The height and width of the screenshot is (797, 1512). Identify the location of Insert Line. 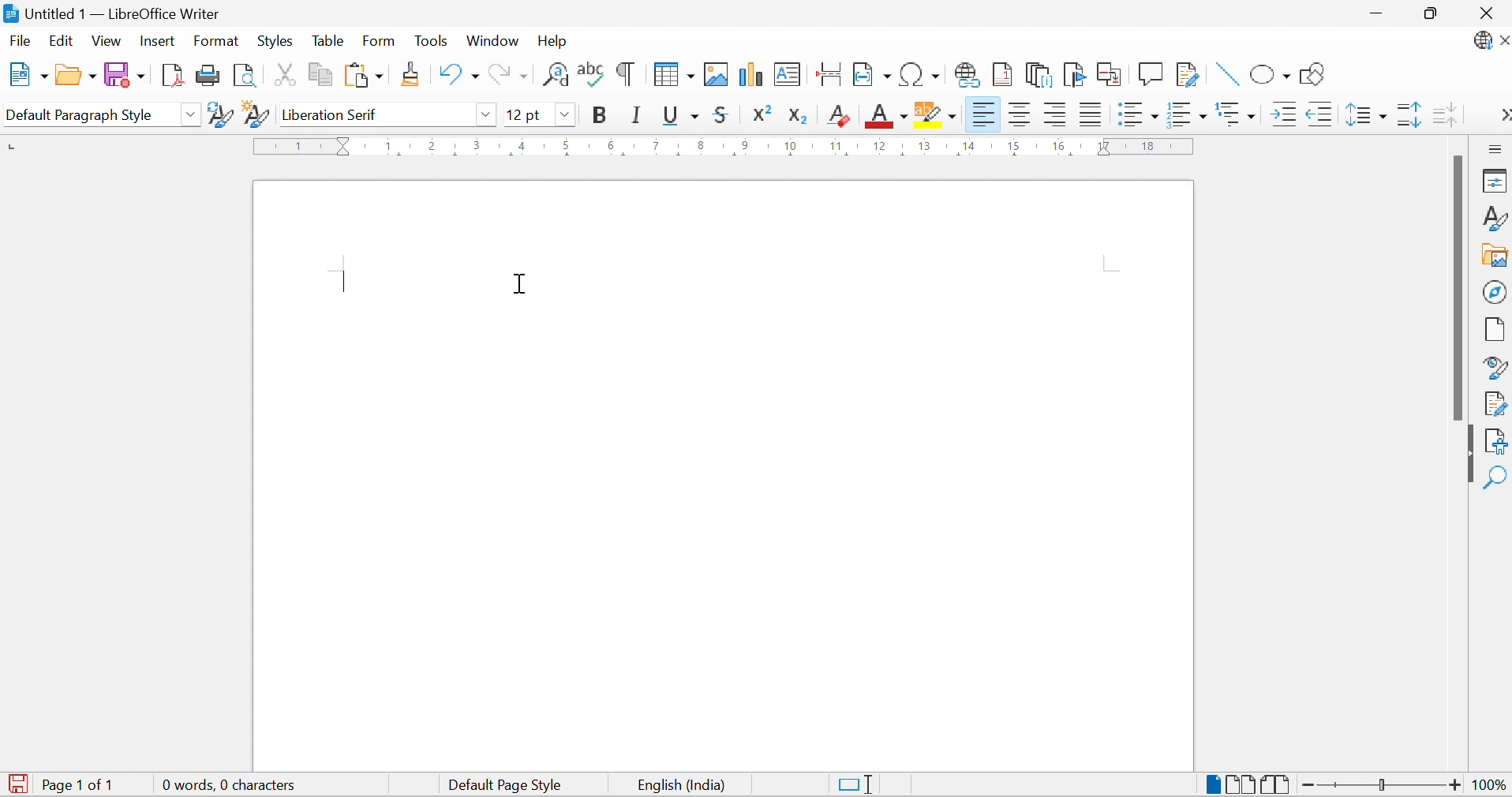
(1224, 75).